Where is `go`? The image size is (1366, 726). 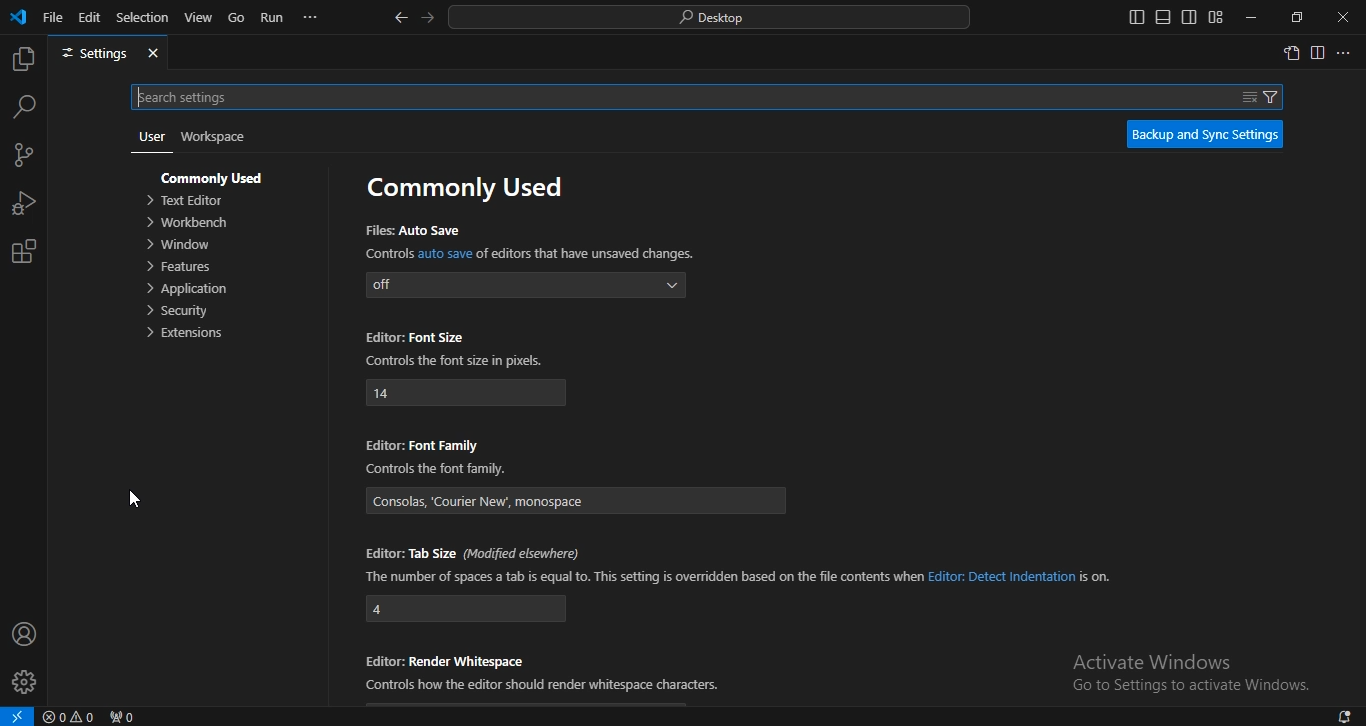
go is located at coordinates (237, 17).